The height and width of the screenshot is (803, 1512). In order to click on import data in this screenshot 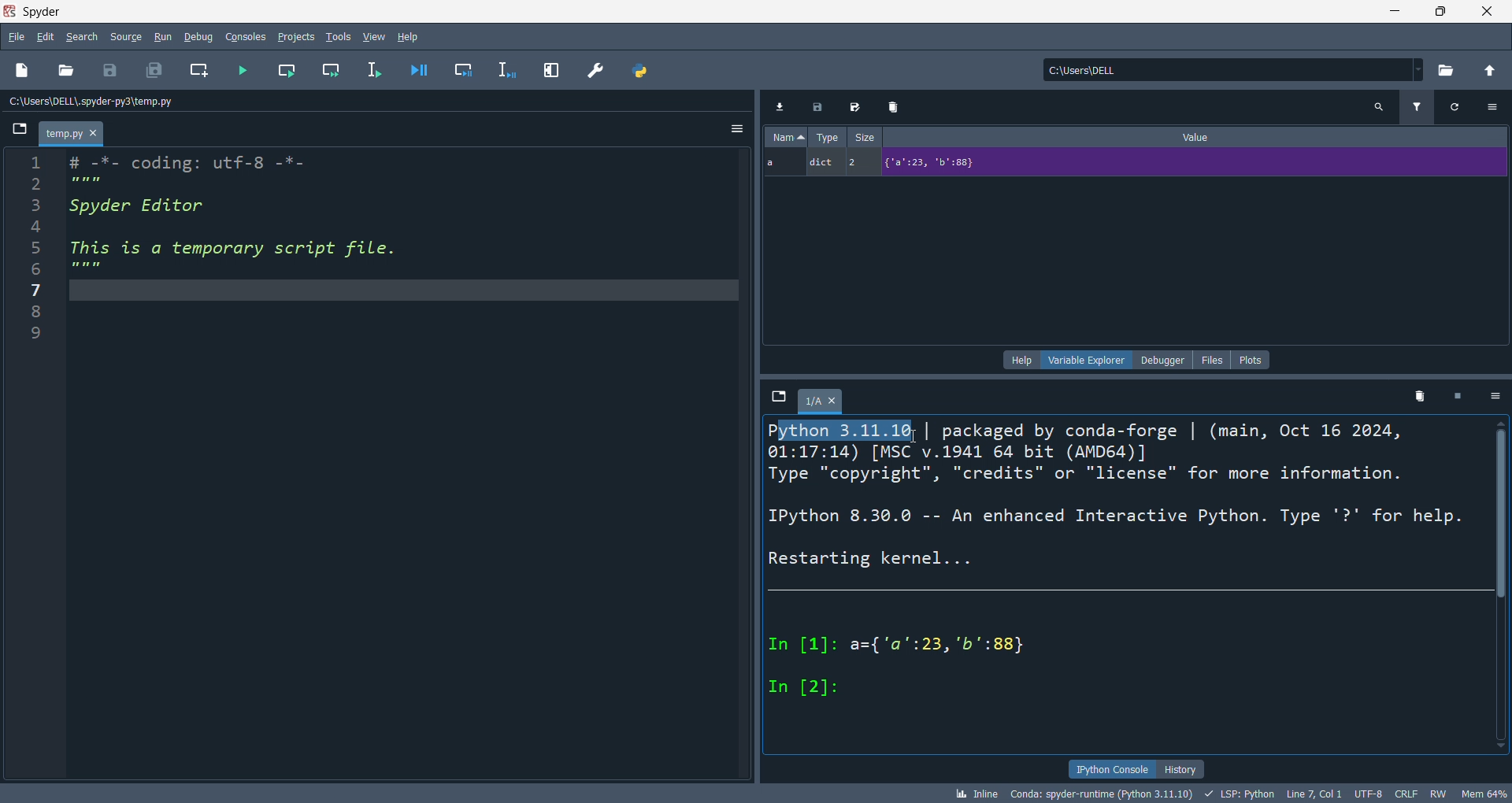, I will do `click(779, 106)`.